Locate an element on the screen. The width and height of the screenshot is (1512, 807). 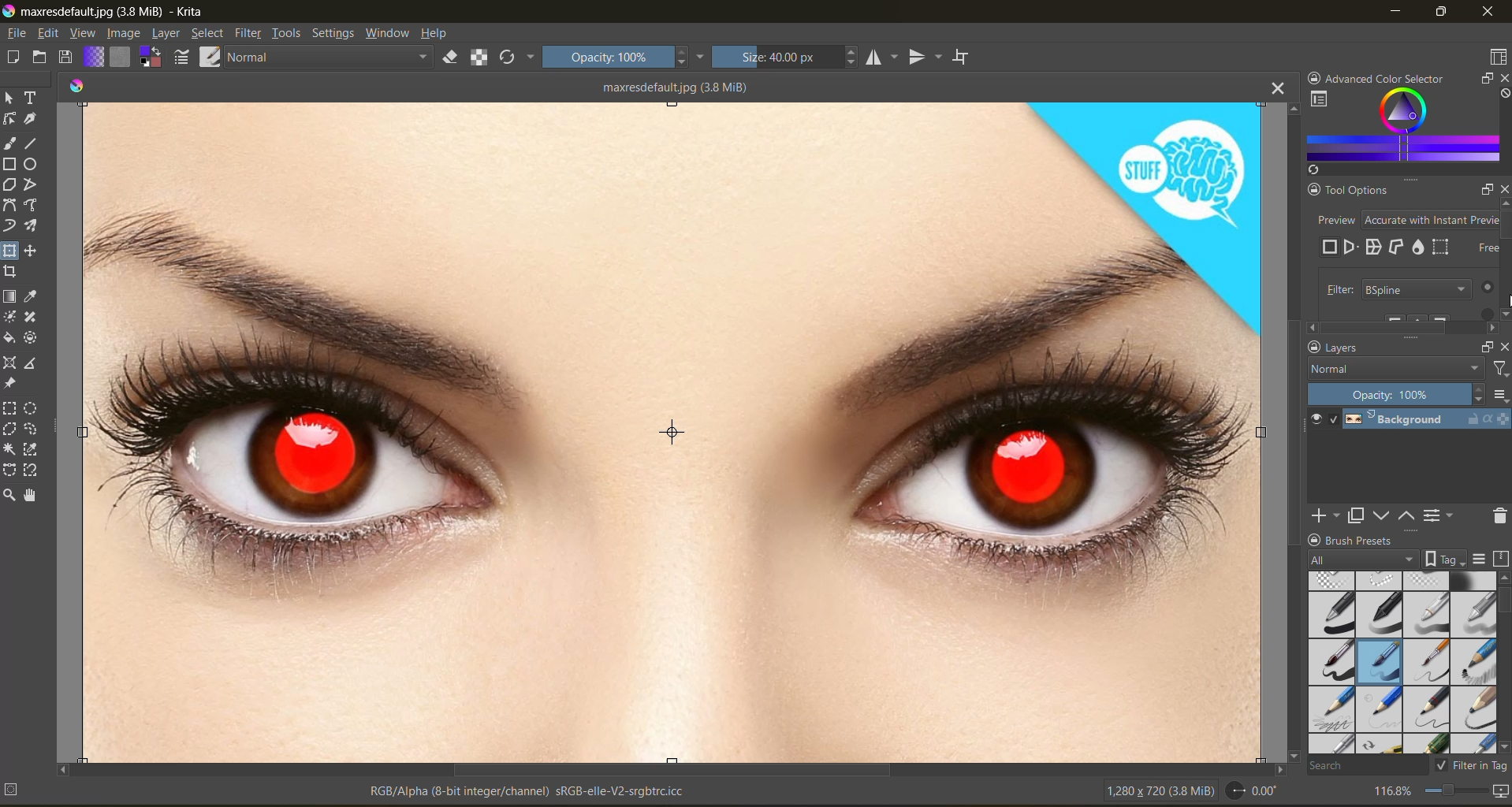
free is located at coordinates (1328, 247).